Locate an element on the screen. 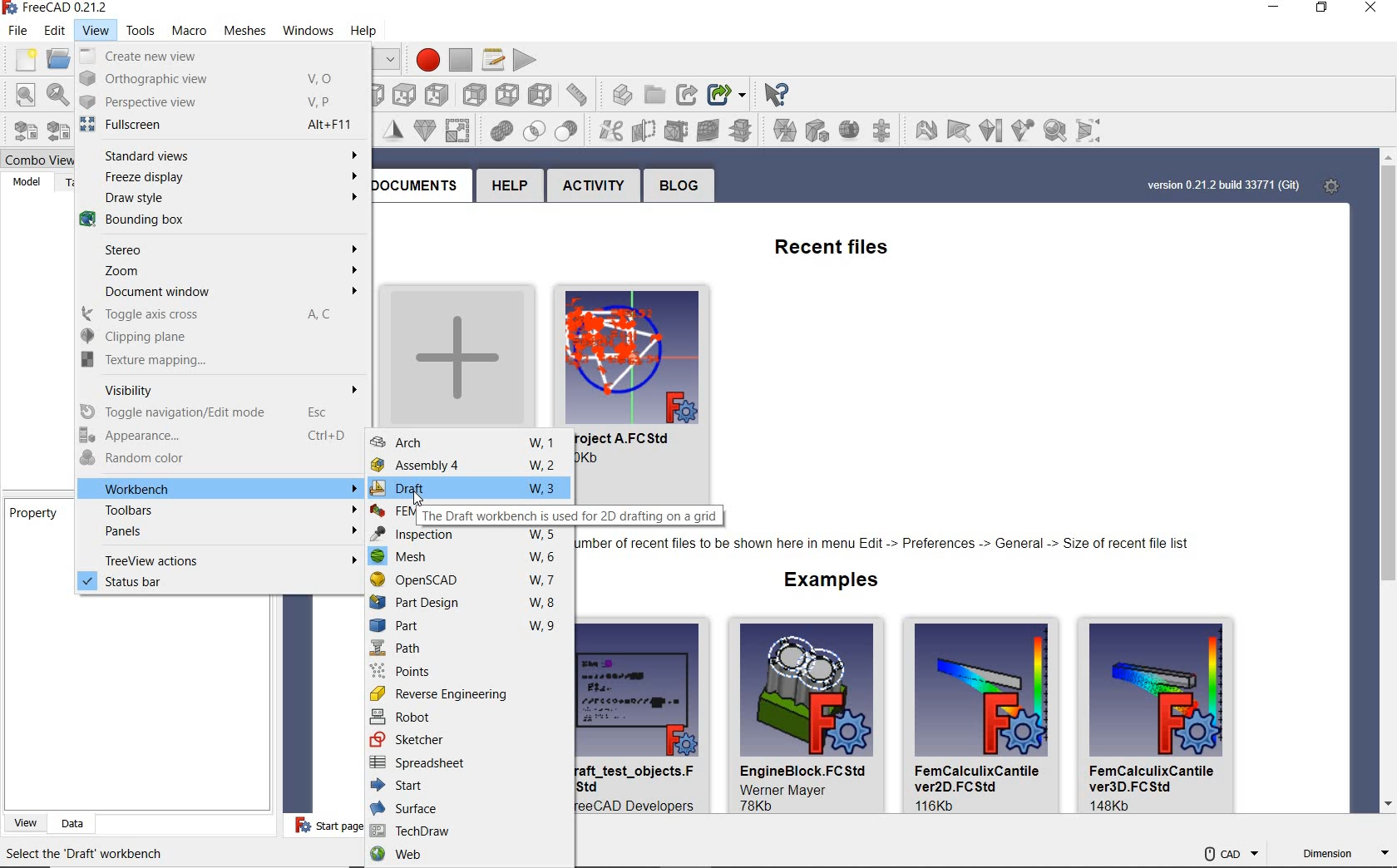  restore down is located at coordinates (389, 60).